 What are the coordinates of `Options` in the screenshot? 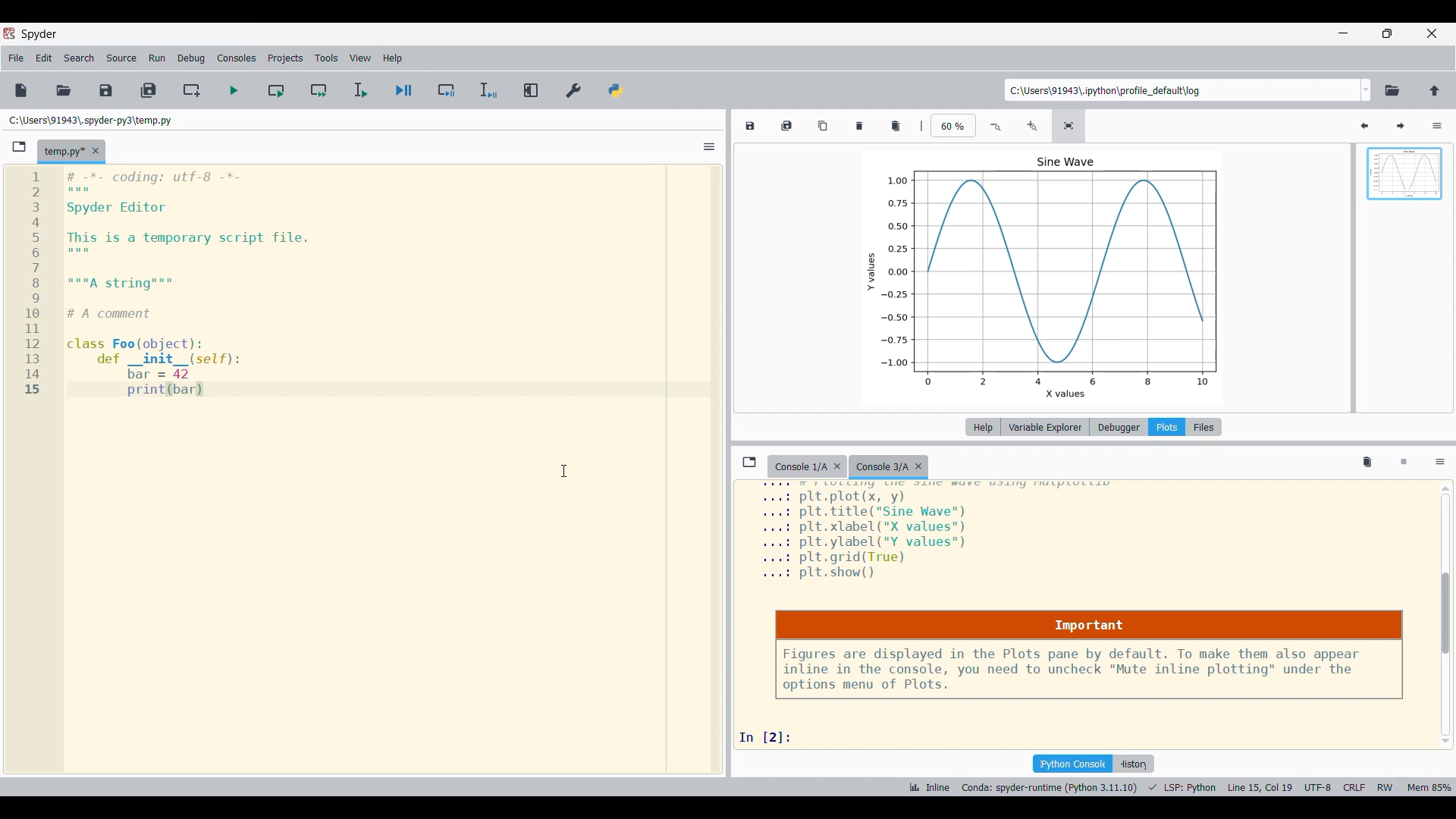 It's located at (710, 146).